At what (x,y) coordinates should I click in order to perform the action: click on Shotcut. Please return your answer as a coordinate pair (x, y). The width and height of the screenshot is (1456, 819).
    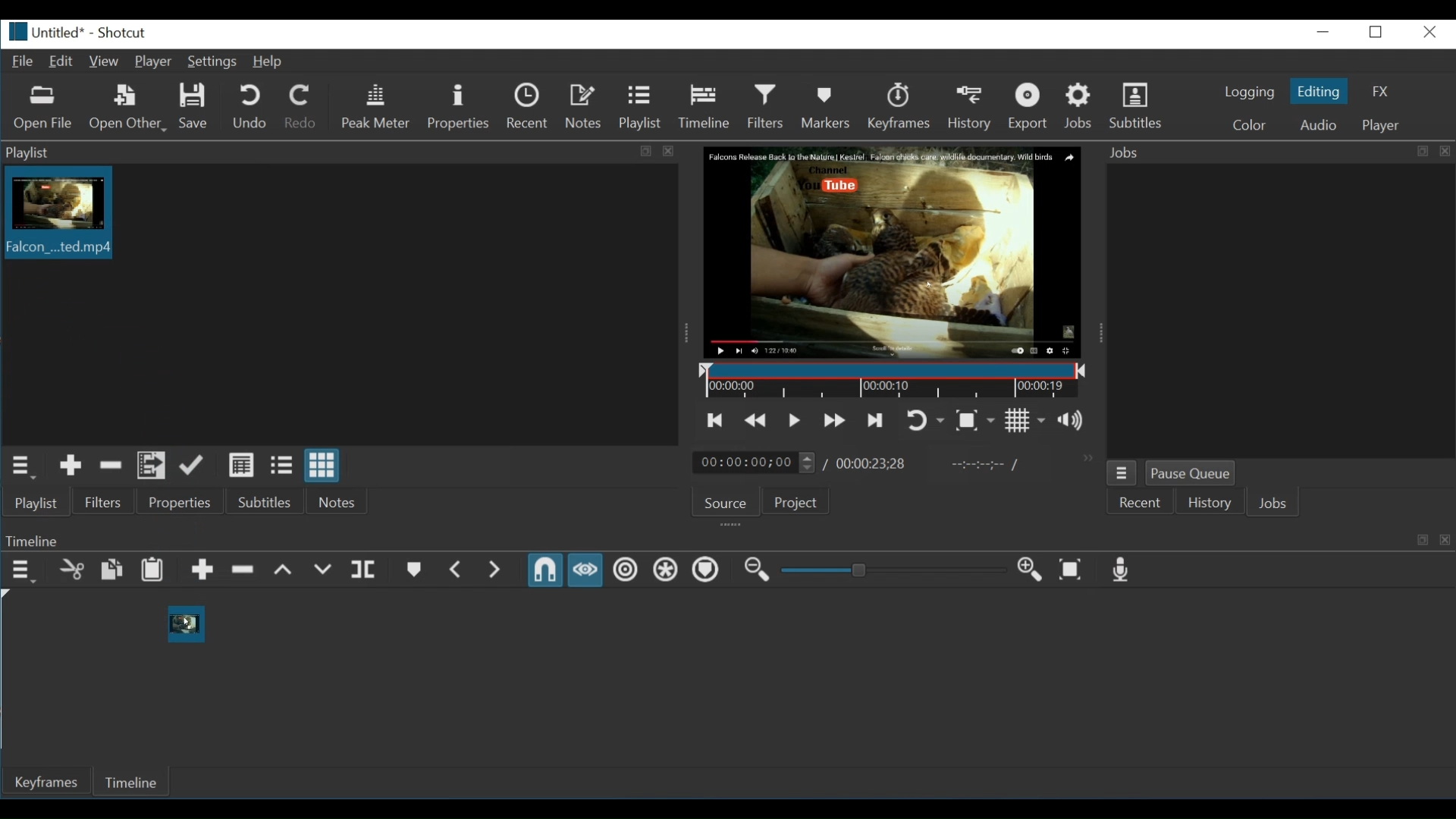
    Looking at the image, I should click on (121, 33).